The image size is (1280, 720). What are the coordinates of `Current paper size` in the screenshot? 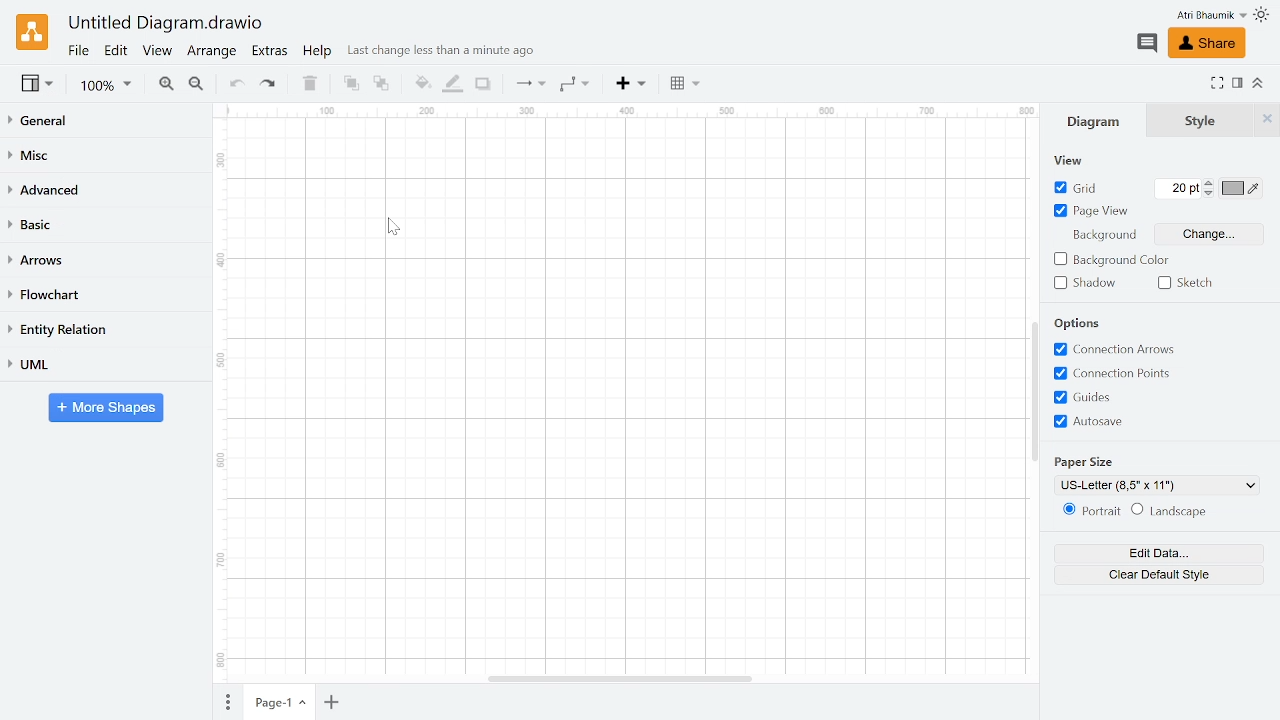 It's located at (1157, 485).